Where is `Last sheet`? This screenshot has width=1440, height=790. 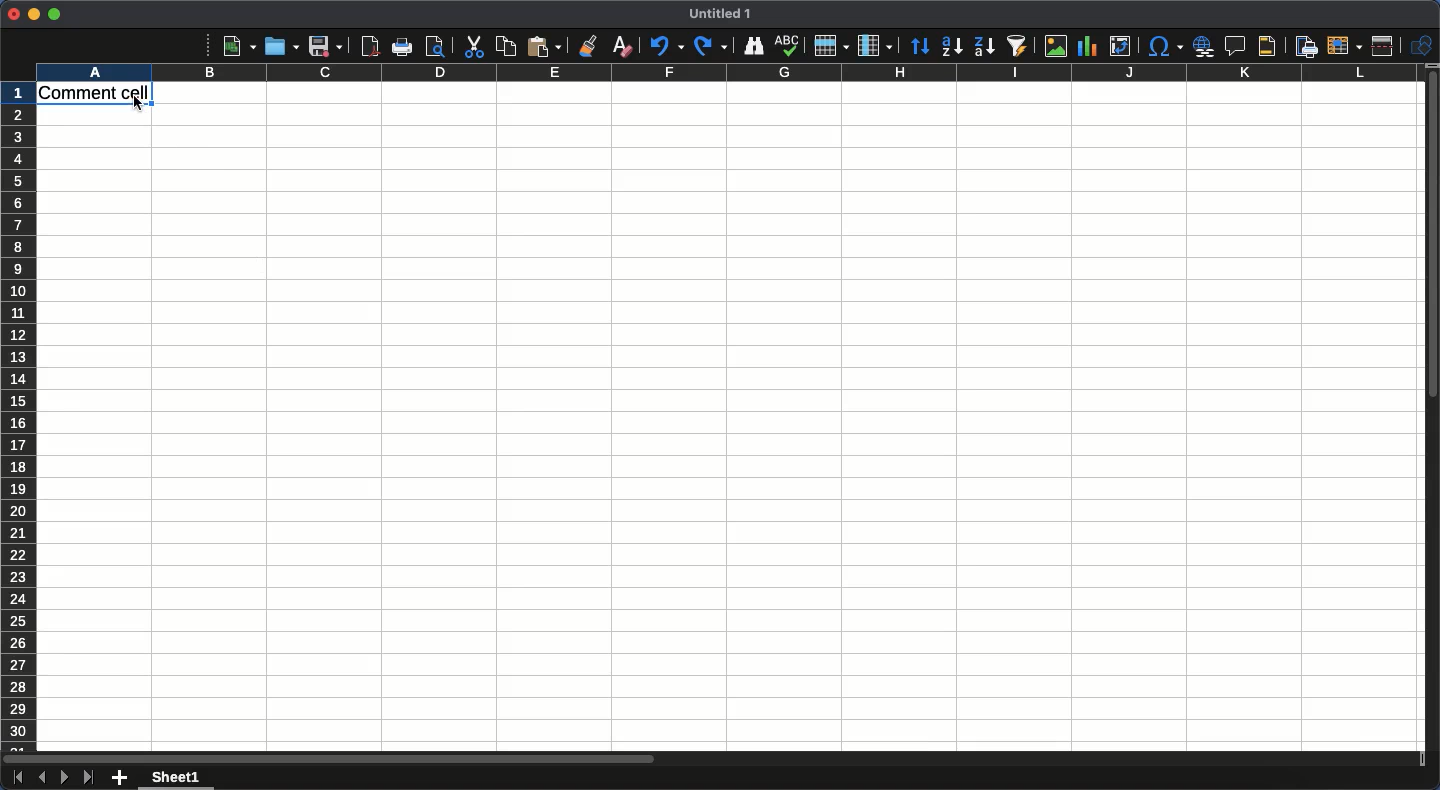
Last sheet is located at coordinates (88, 778).